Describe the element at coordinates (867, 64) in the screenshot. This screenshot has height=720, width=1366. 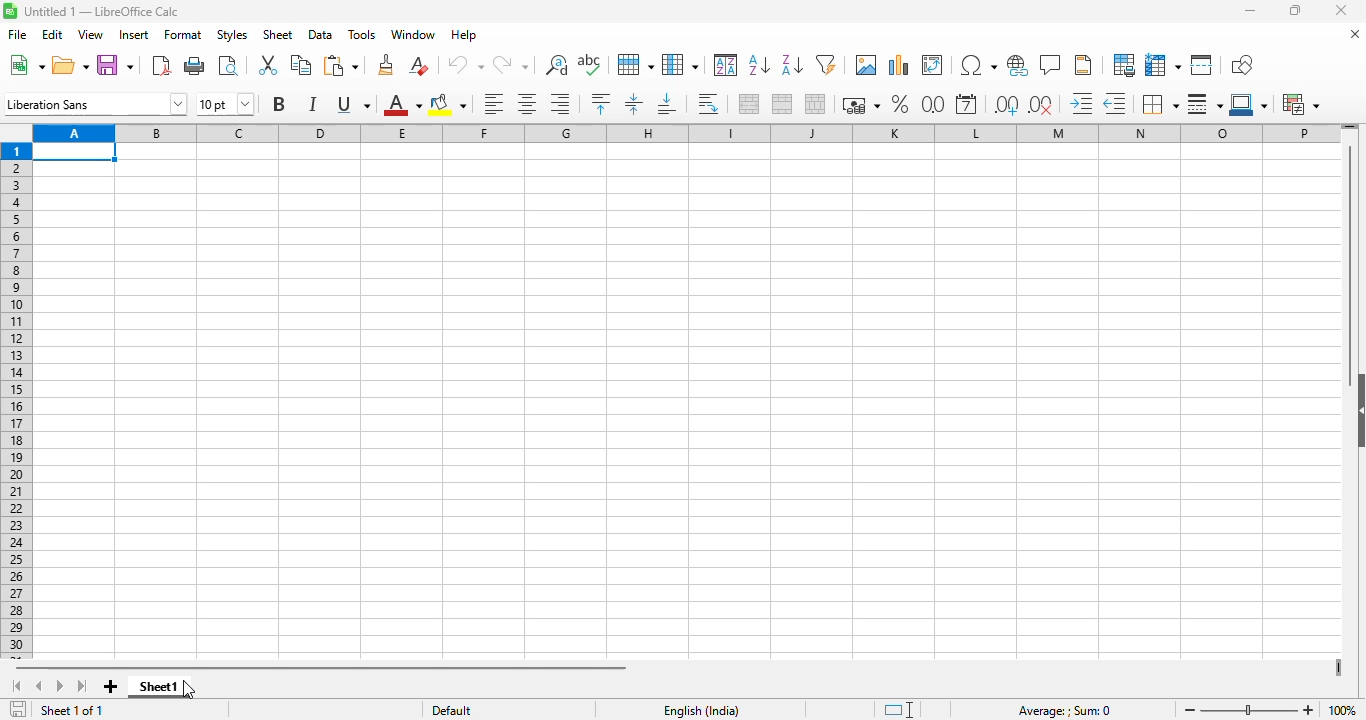
I see `insert image` at that location.